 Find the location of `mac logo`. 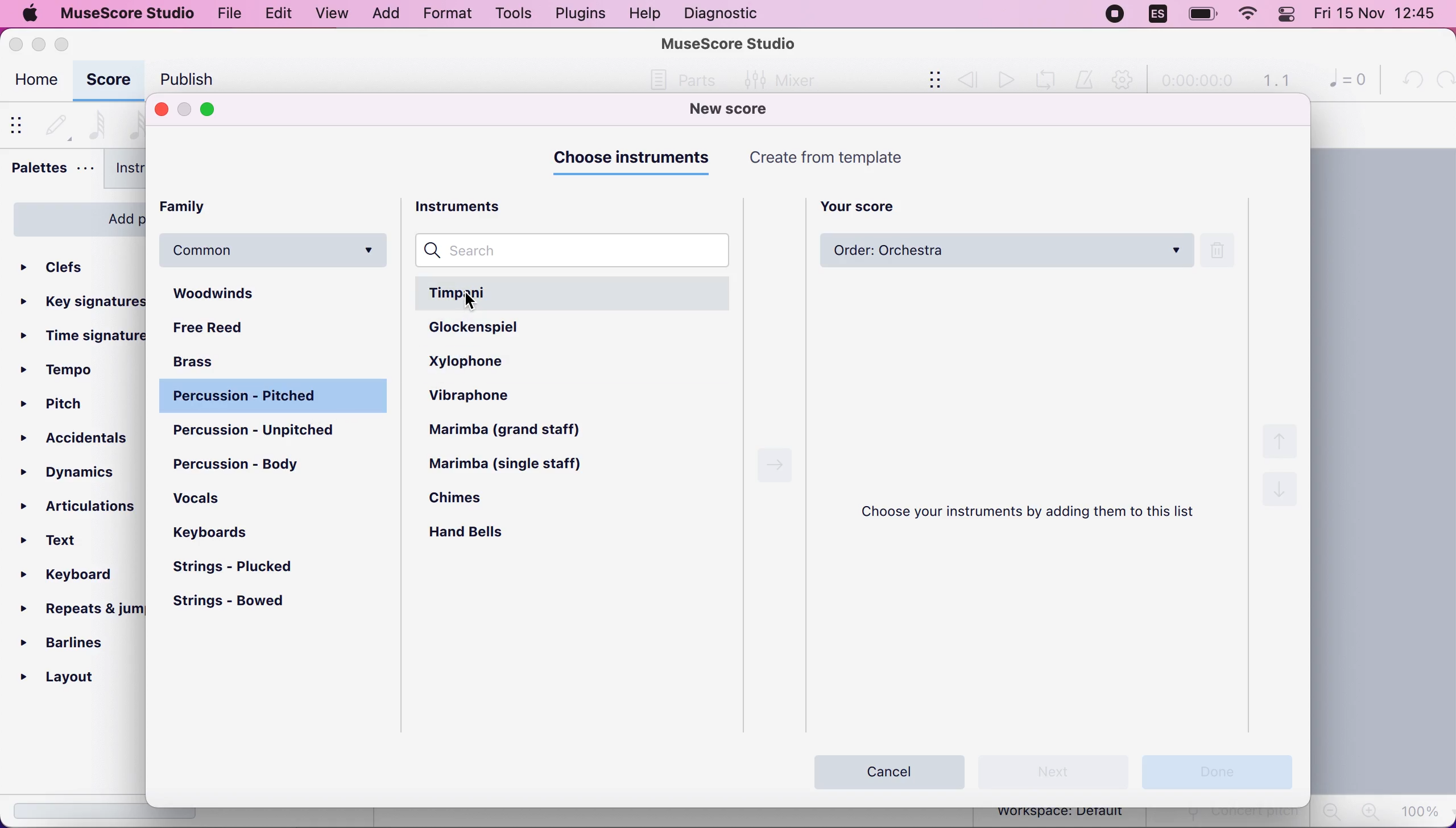

mac logo is located at coordinates (30, 15).